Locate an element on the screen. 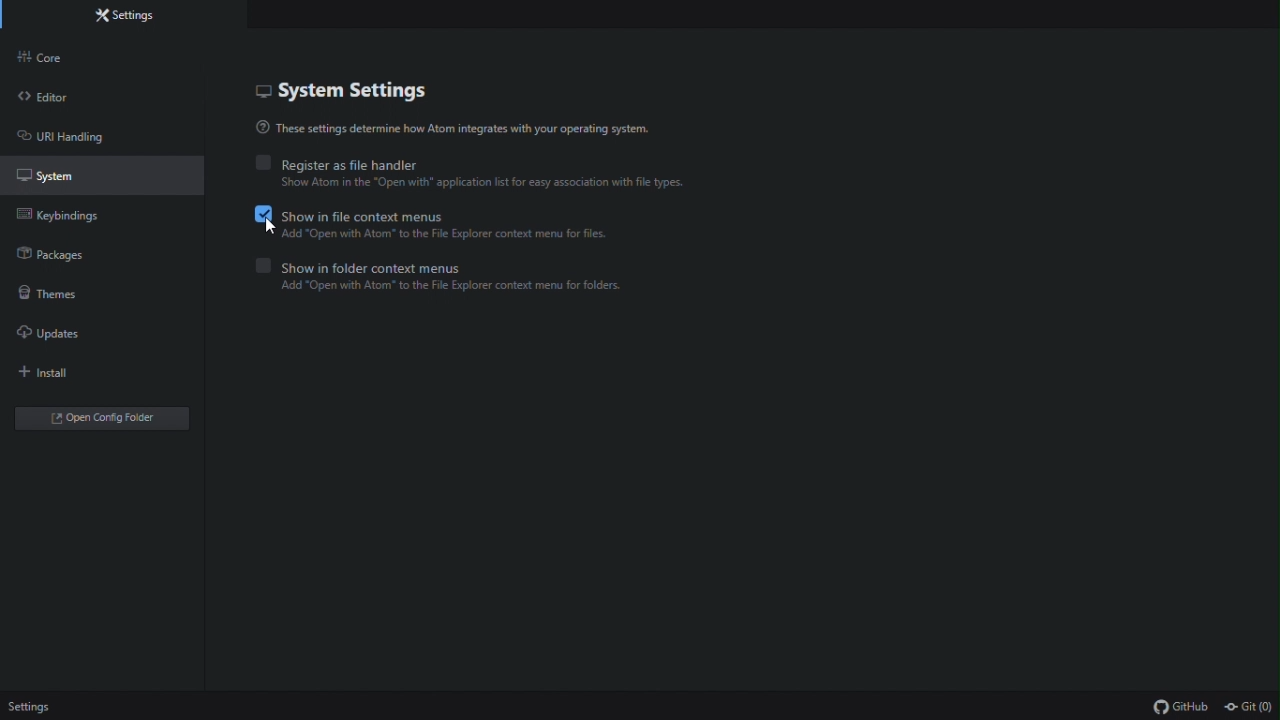 The height and width of the screenshot is (720, 1280). URL handling is located at coordinates (78, 136).